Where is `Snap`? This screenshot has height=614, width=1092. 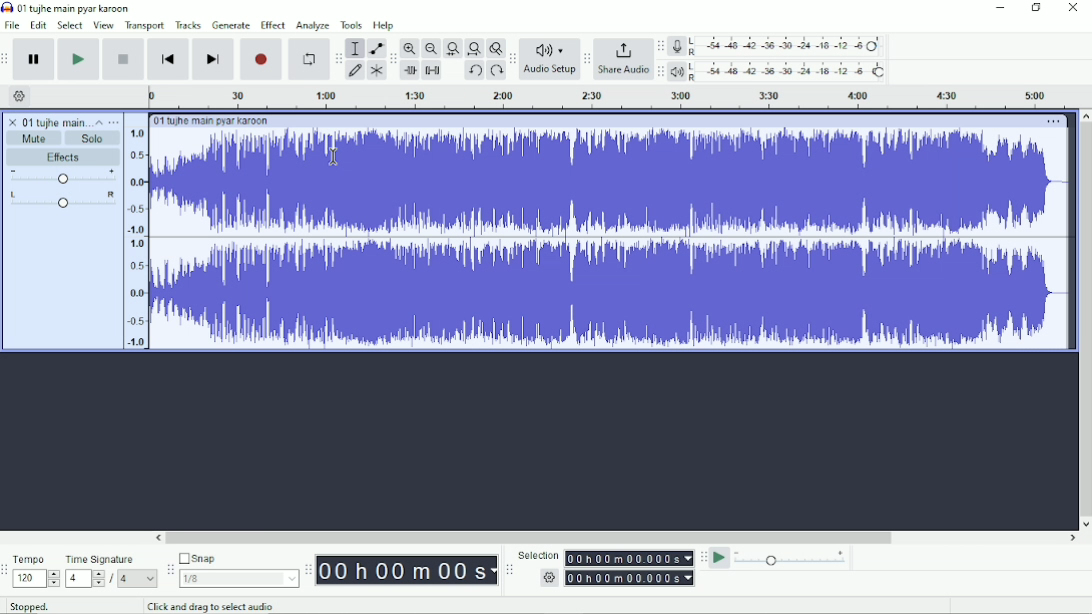 Snap is located at coordinates (238, 569).